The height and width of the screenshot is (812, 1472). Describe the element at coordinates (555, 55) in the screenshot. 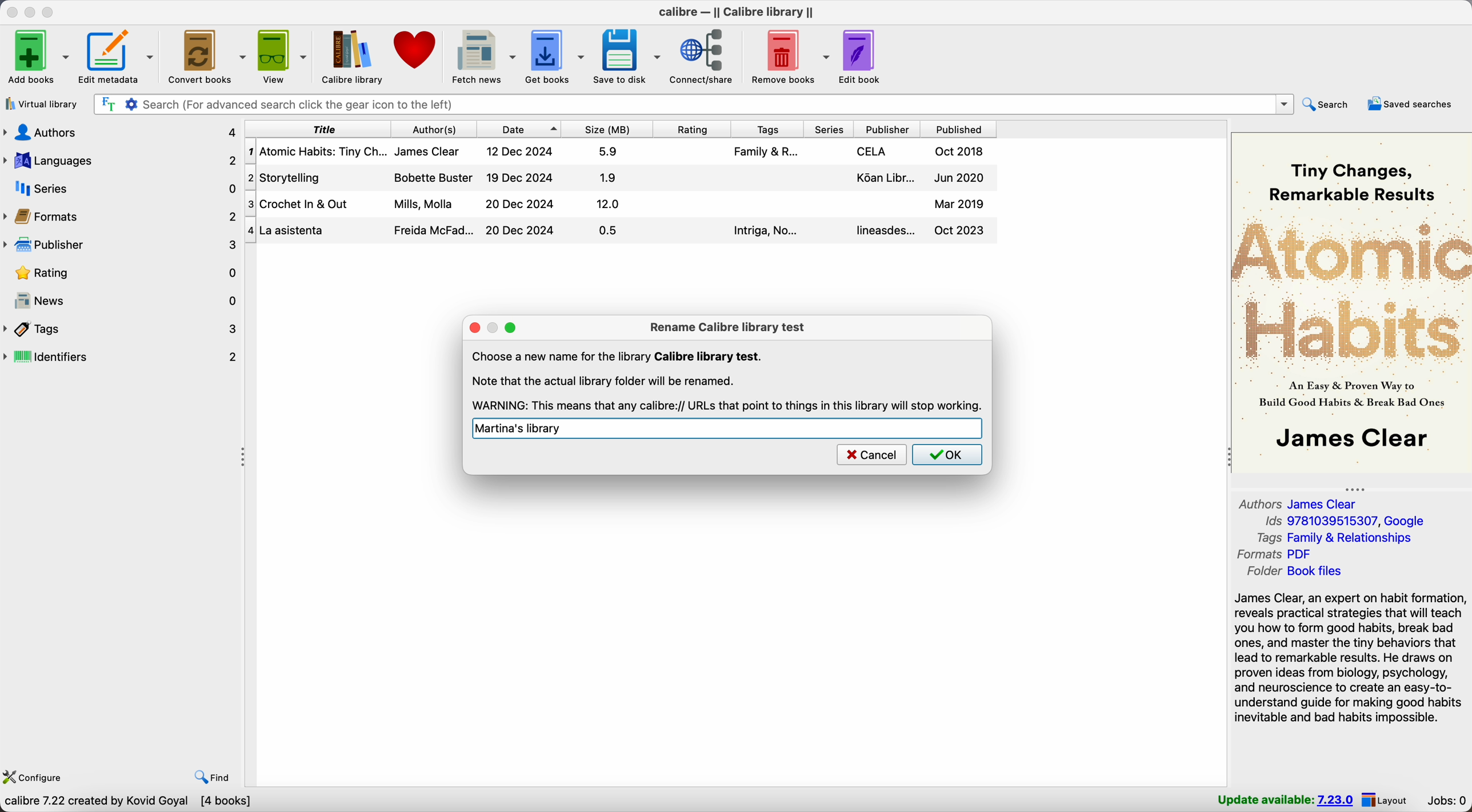

I see `get books` at that location.